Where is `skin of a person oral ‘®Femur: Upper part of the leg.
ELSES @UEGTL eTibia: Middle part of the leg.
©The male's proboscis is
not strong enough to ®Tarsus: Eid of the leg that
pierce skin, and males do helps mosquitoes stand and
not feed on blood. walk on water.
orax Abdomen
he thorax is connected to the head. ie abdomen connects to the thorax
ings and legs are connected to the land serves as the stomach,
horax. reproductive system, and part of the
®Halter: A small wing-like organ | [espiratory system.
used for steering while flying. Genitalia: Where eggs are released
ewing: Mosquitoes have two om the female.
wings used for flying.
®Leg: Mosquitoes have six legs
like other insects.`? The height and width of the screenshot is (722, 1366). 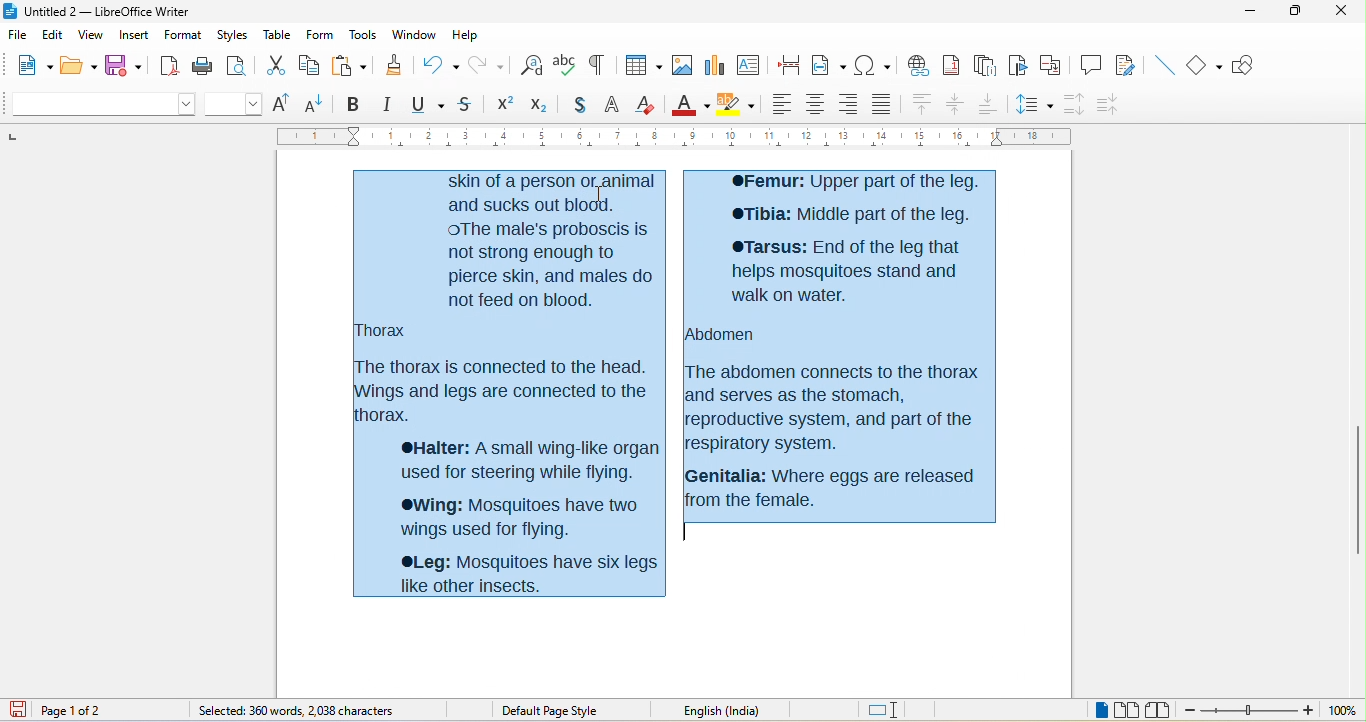
skin of a person oral ‘®Femur: Upper part of the leg.
ELSES @UEGTL eTibia: Middle part of the leg.
©The male's proboscis is
not strong enough to ®Tarsus: Eid of the leg that
pierce skin, and males do helps mosquitoes stand and
not feed on blood. walk on water.
orax Abdomen
he thorax is connected to the head. ie abdomen connects to the thorax
ings and legs are connected to the land serves as the stomach,
horax. reproductive system, and part of the
®Halter: A small wing-like organ | [espiratory system.
used for steering while flying. Genitalia: Where eggs are released
ewing: Mosquitoes have two om the female.
wings used for flying.
®Leg: Mosquitoes have six legs
like other insects. is located at coordinates (677, 383).